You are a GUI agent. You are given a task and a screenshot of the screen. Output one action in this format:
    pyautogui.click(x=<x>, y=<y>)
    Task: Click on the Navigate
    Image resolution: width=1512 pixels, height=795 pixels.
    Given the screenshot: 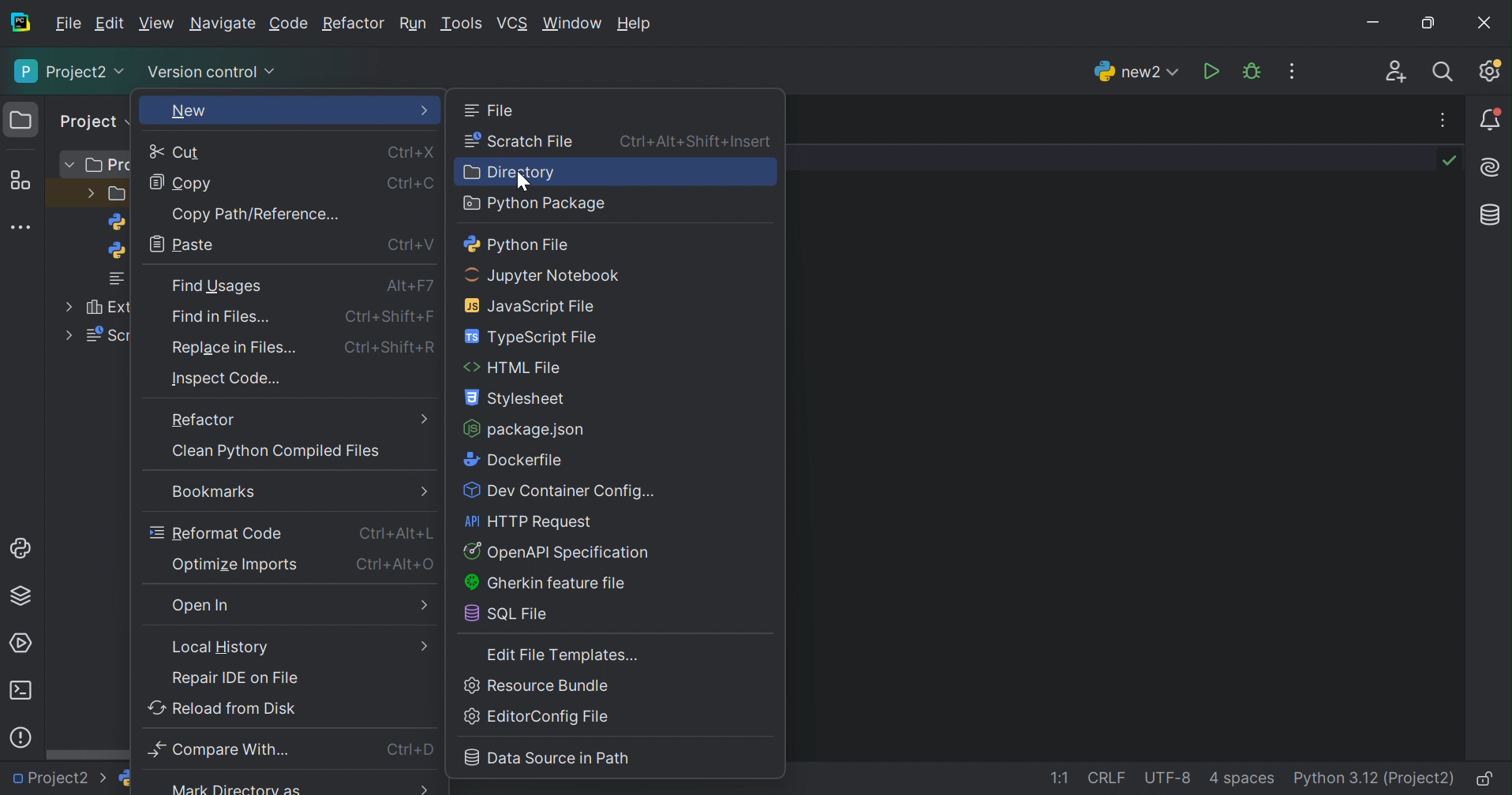 What is the action you would take?
    pyautogui.click(x=225, y=24)
    